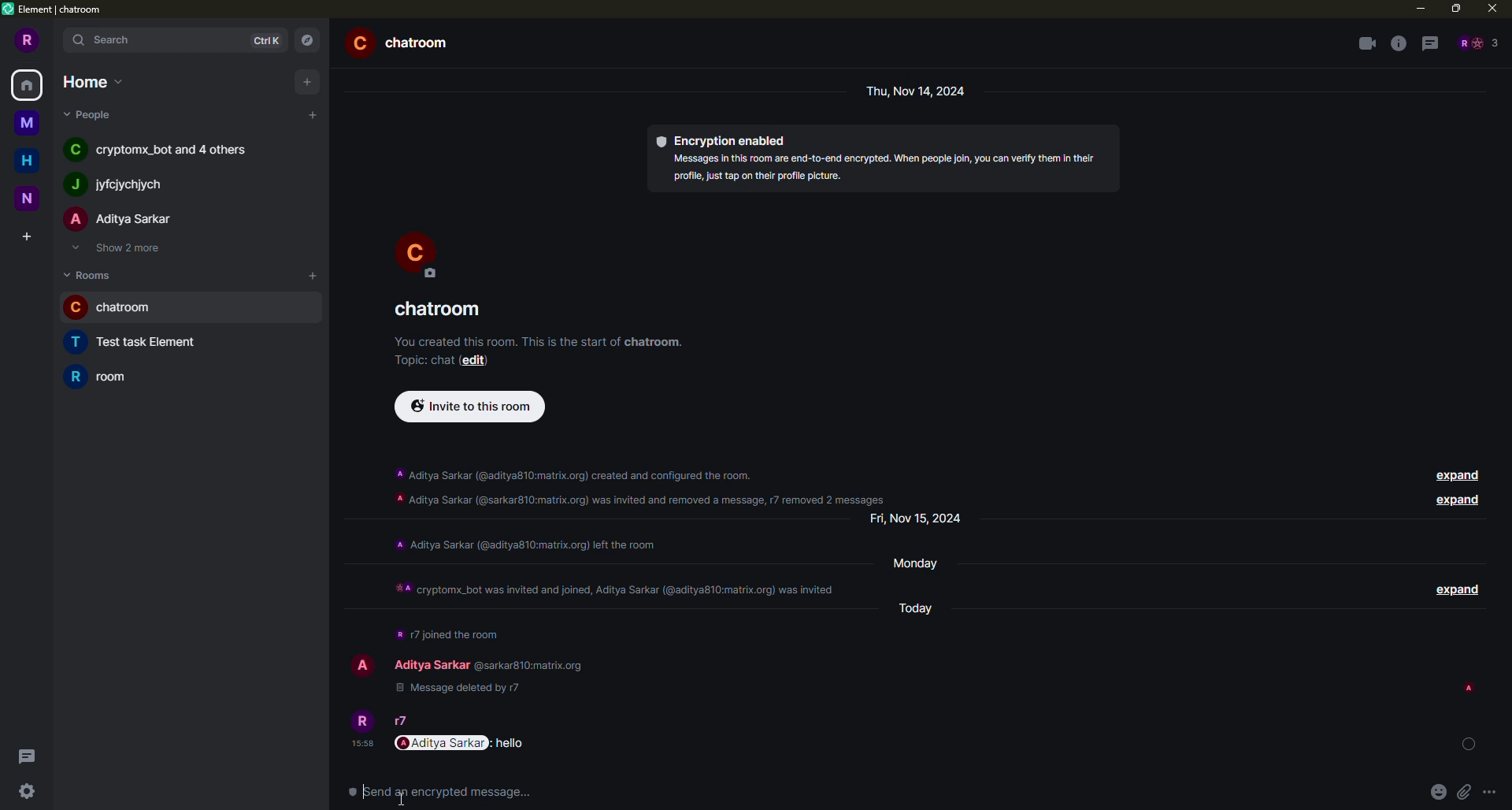 Image resolution: width=1512 pixels, height=810 pixels. I want to click on profile, so click(361, 665).